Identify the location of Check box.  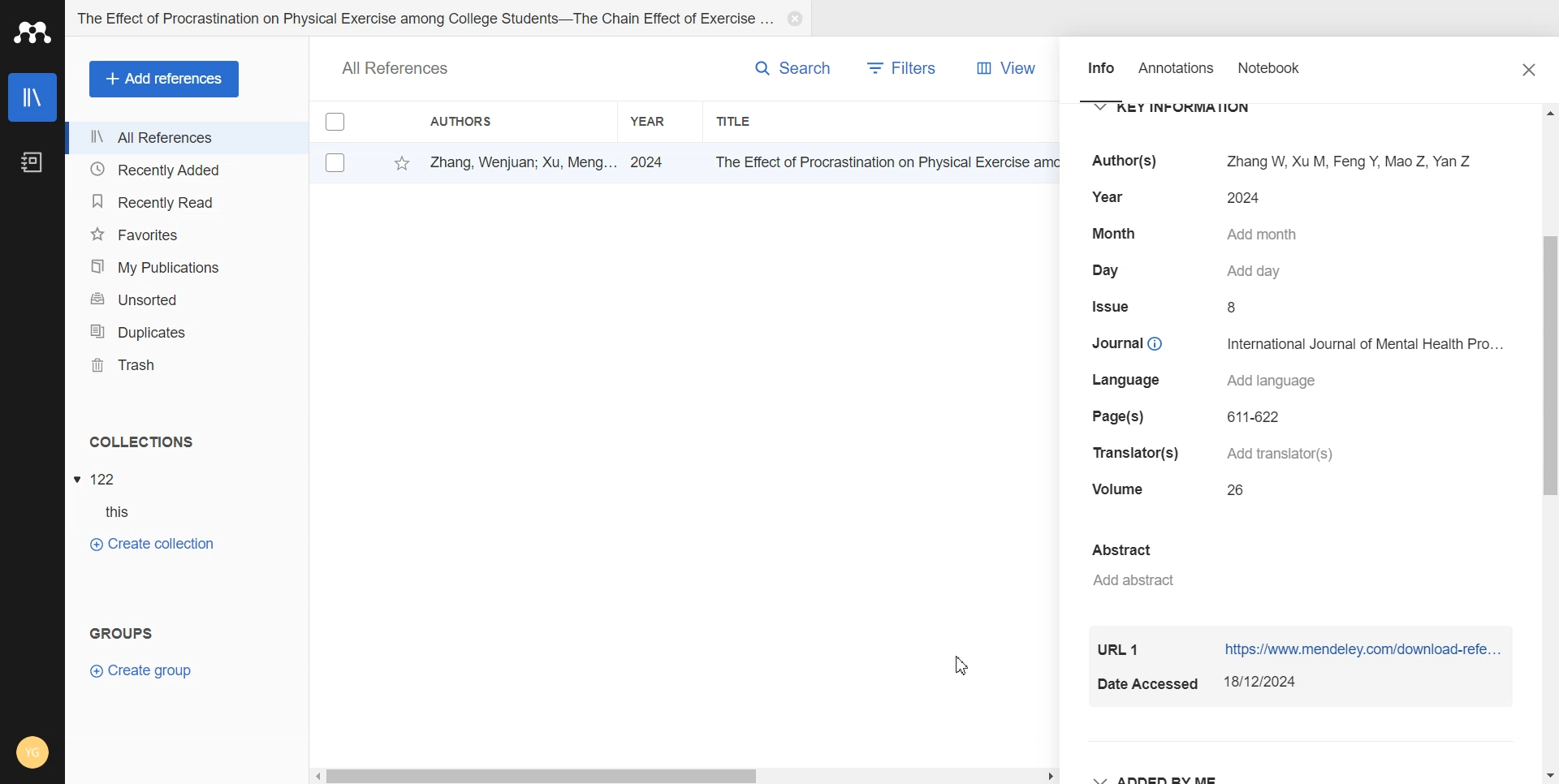
(332, 162).